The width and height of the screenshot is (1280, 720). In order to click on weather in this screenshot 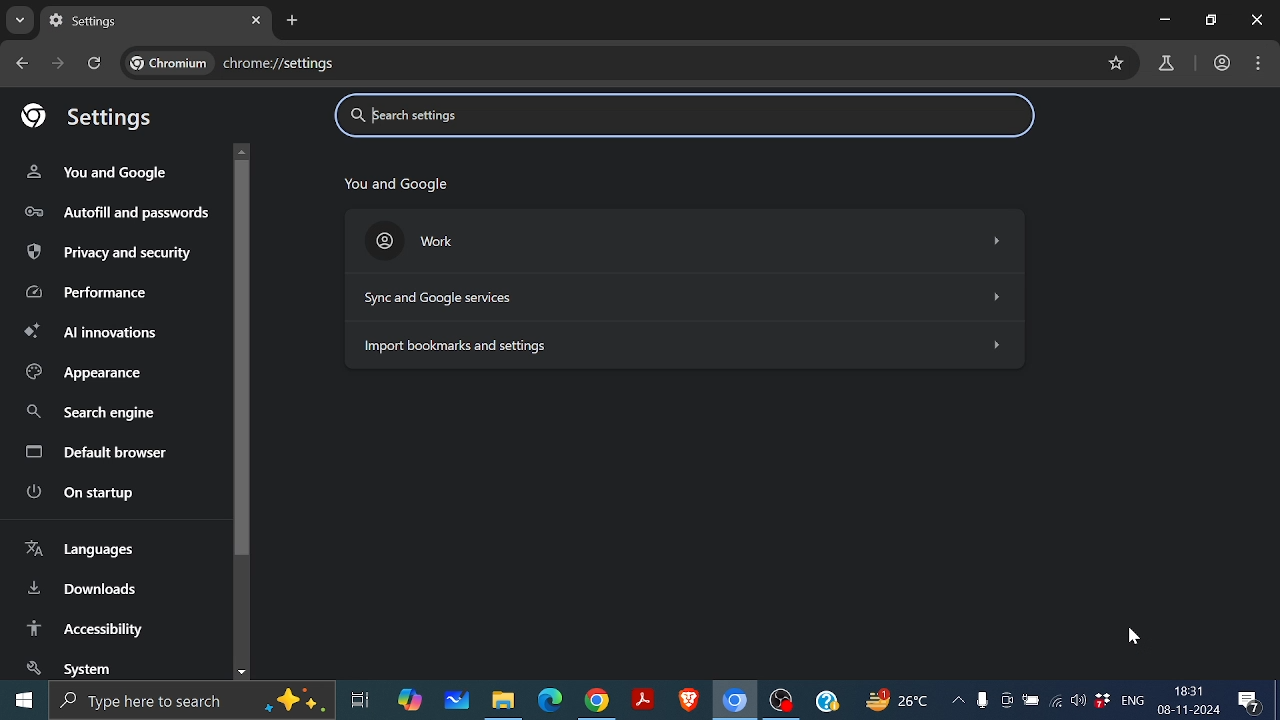, I will do `click(899, 703)`.